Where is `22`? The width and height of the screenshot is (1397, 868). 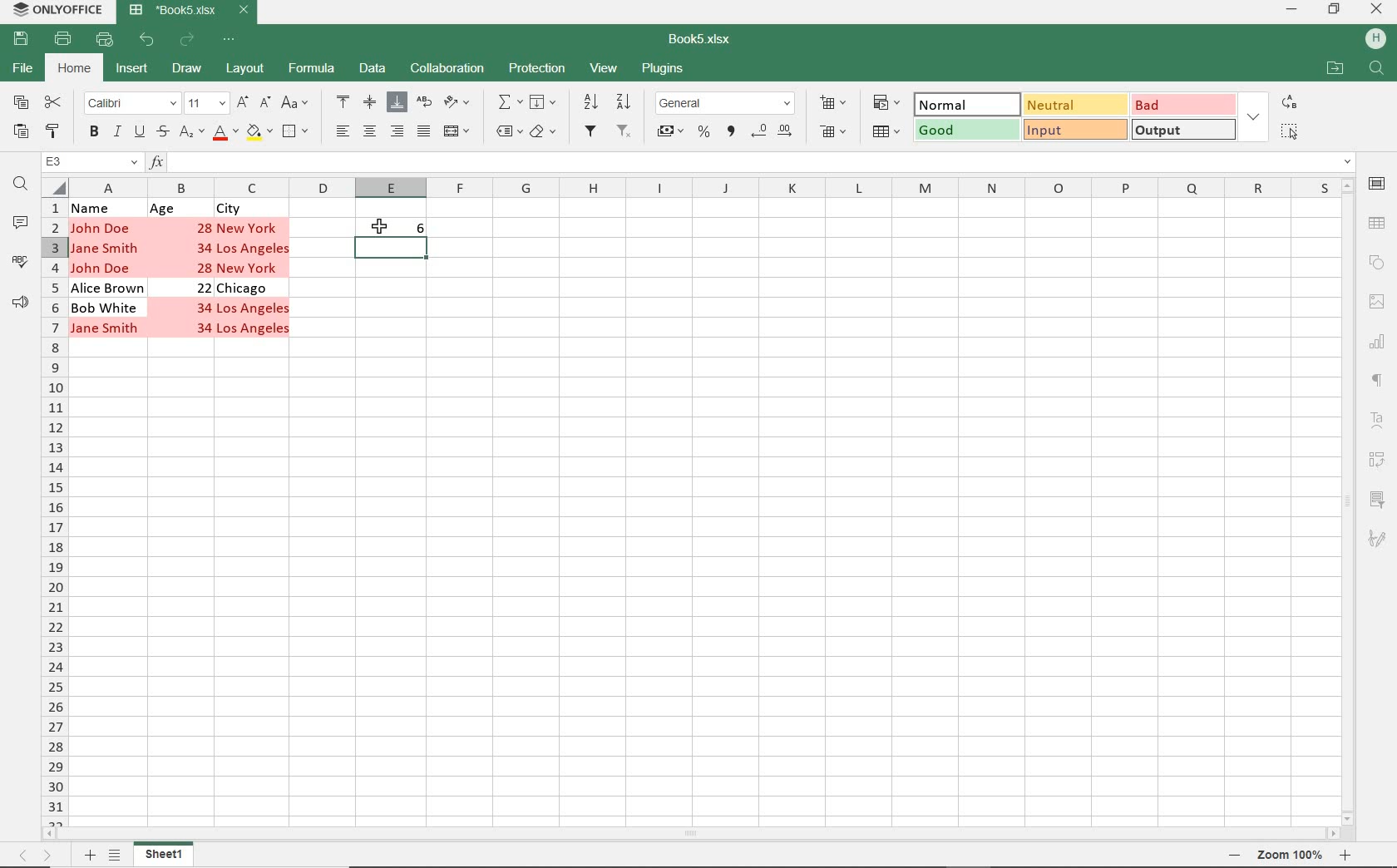 22 is located at coordinates (204, 288).